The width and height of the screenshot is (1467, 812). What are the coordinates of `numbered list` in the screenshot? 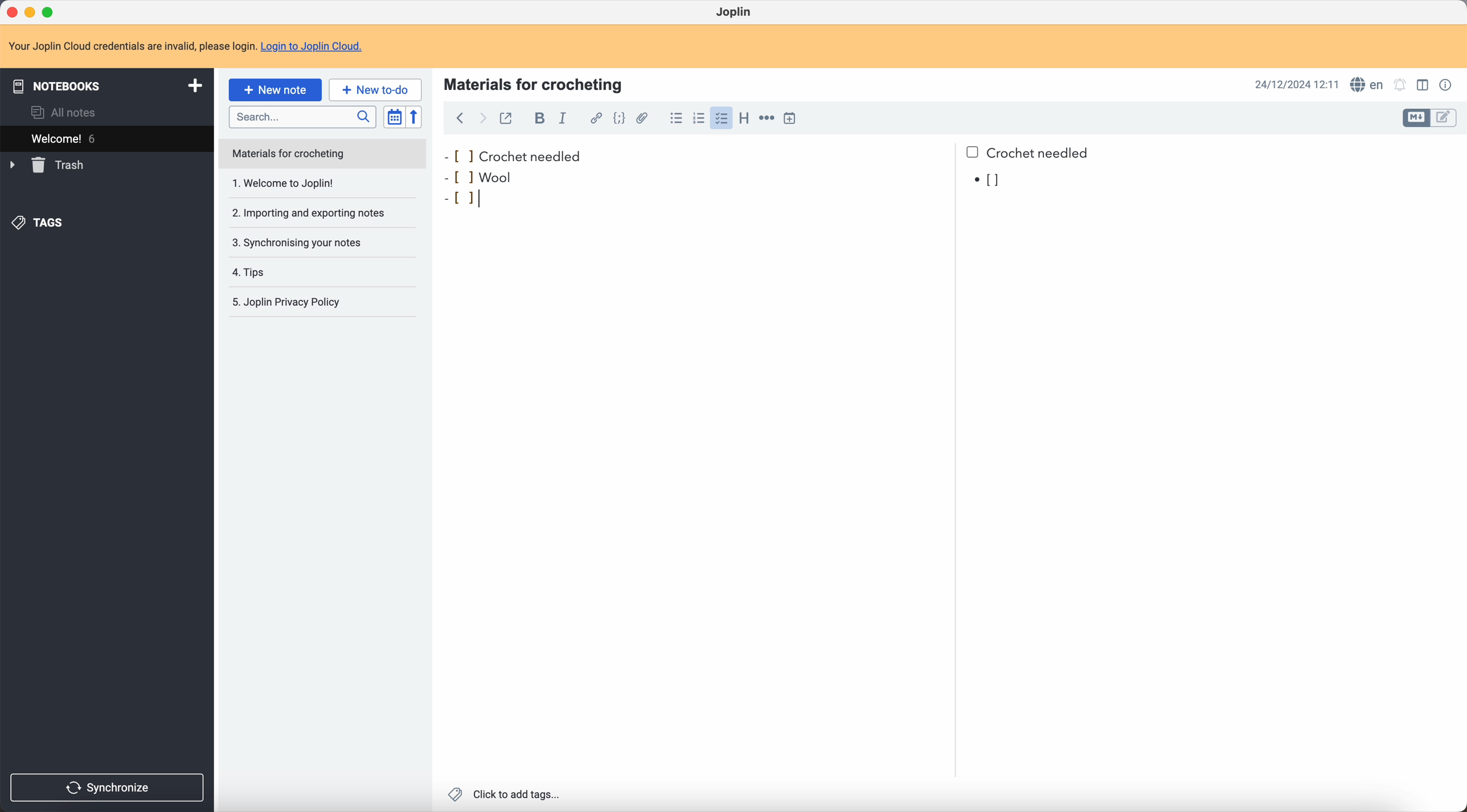 It's located at (698, 118).